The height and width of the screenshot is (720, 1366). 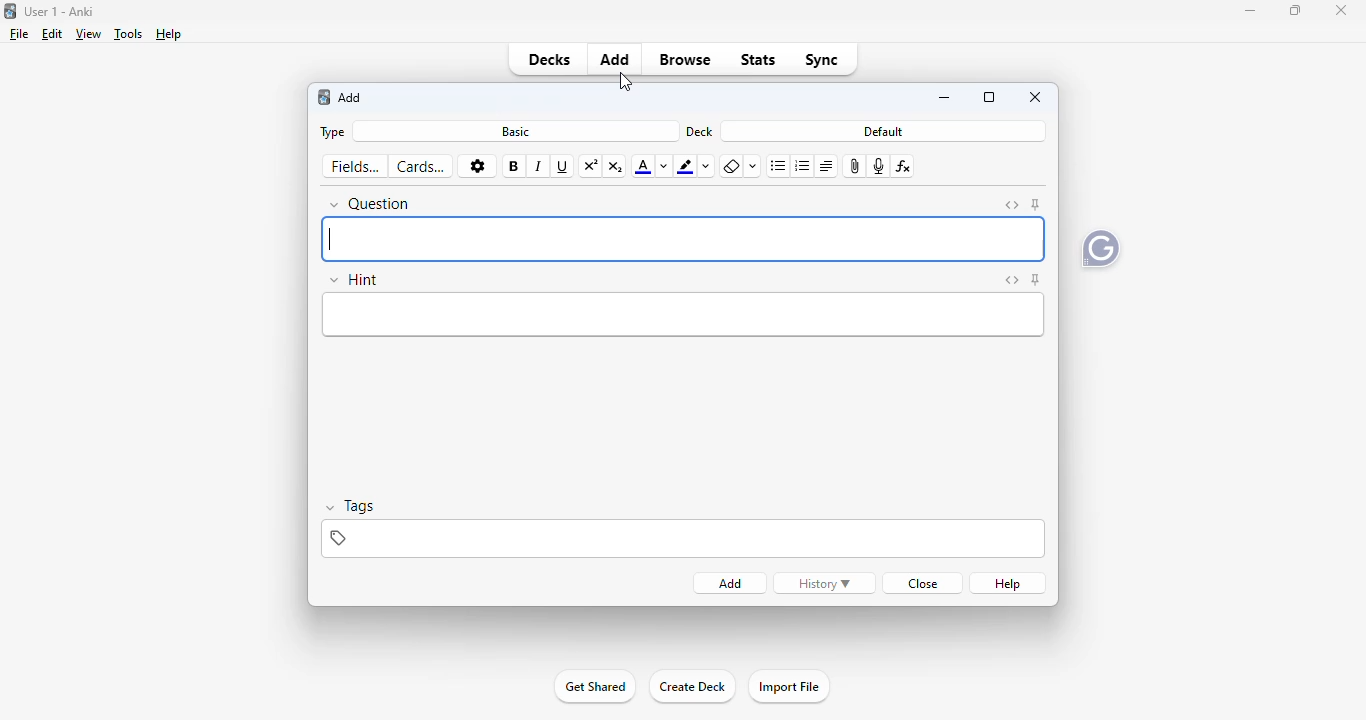 I want to click on record audio, so click(x=879, y=166).